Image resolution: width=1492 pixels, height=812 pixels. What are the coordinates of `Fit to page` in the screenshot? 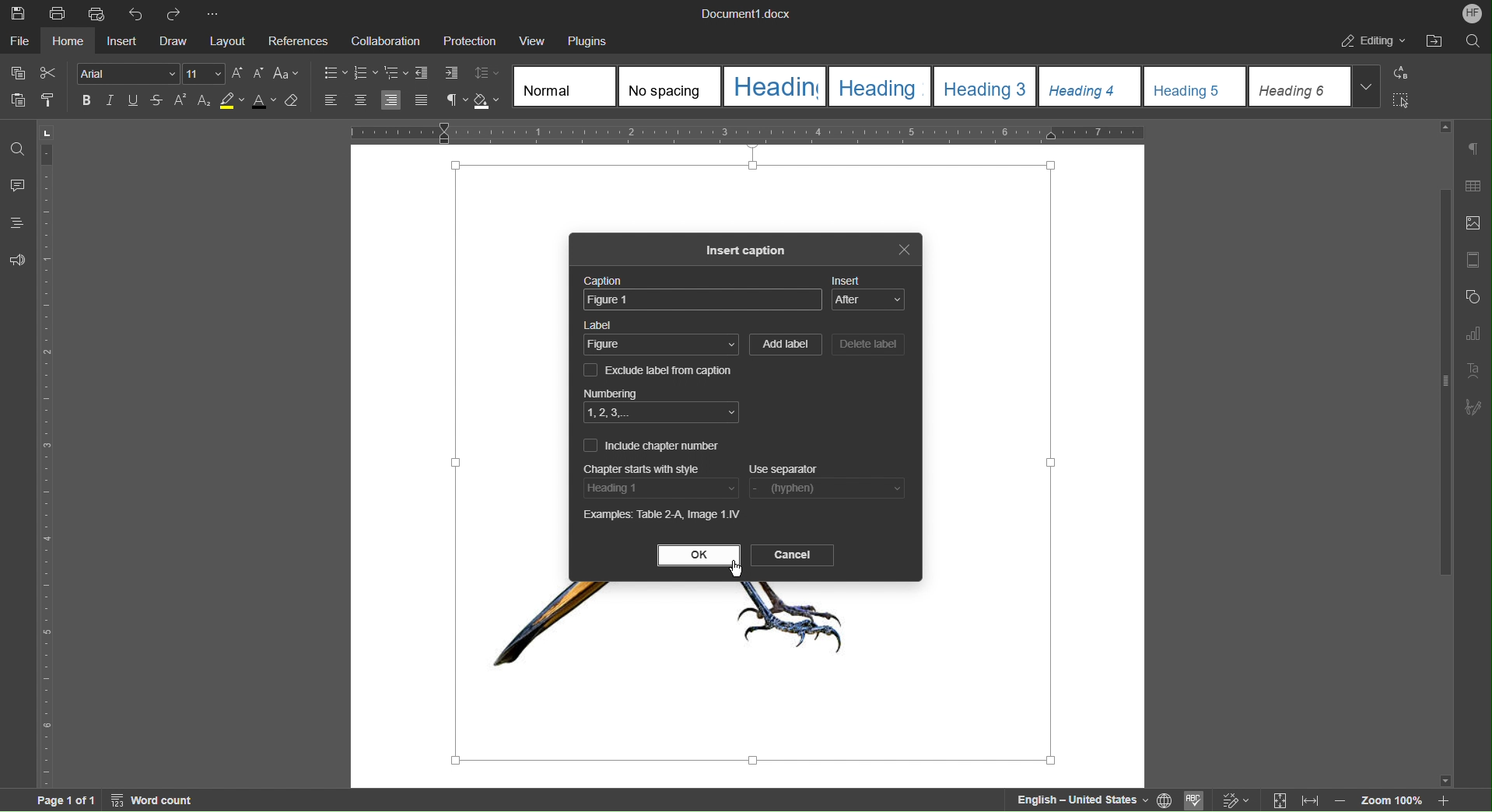 It's located at (1280, 800).